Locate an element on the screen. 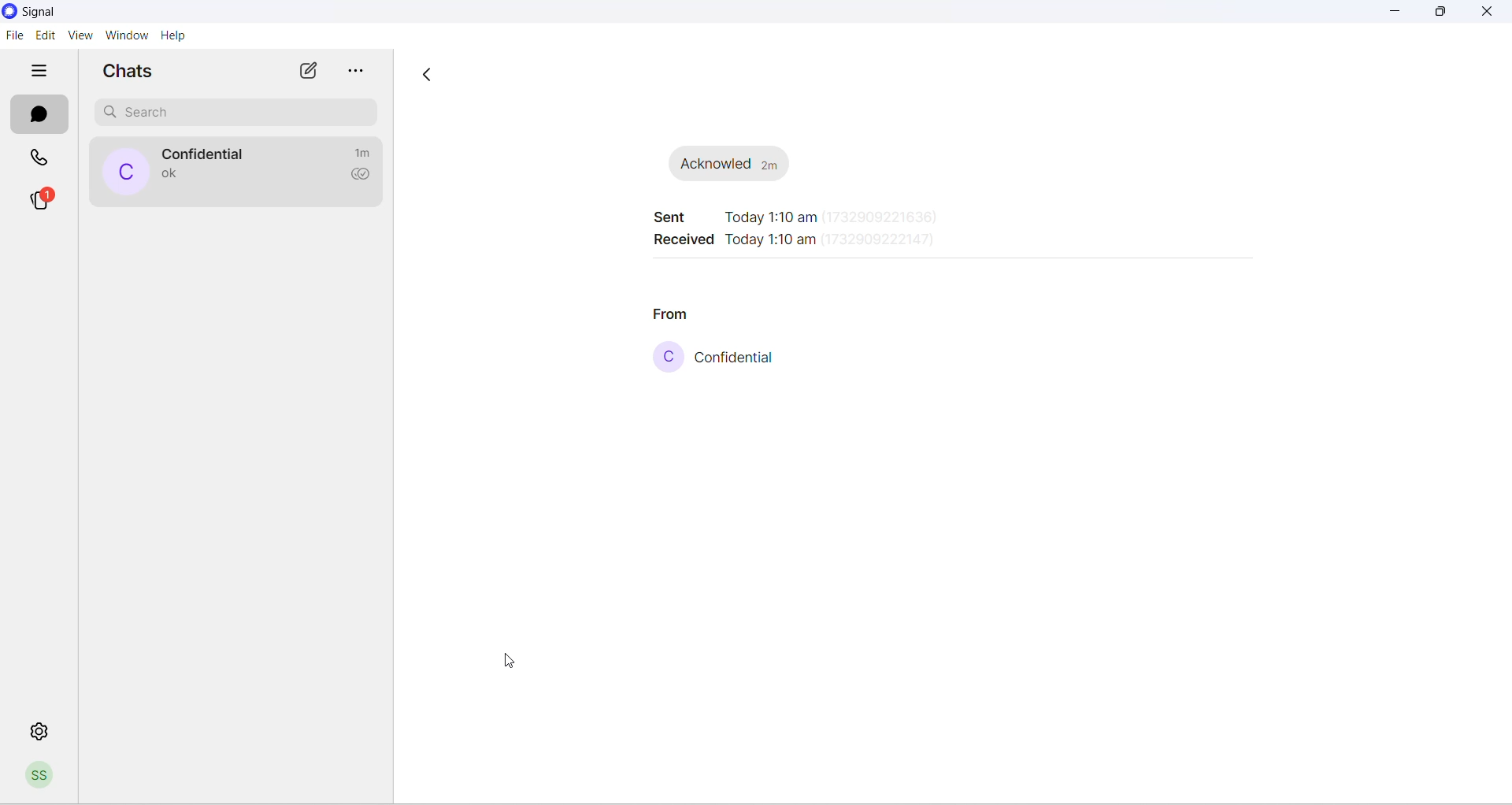 This screenshot has width=1512, height=805. from is located at coordinates (677, 308).